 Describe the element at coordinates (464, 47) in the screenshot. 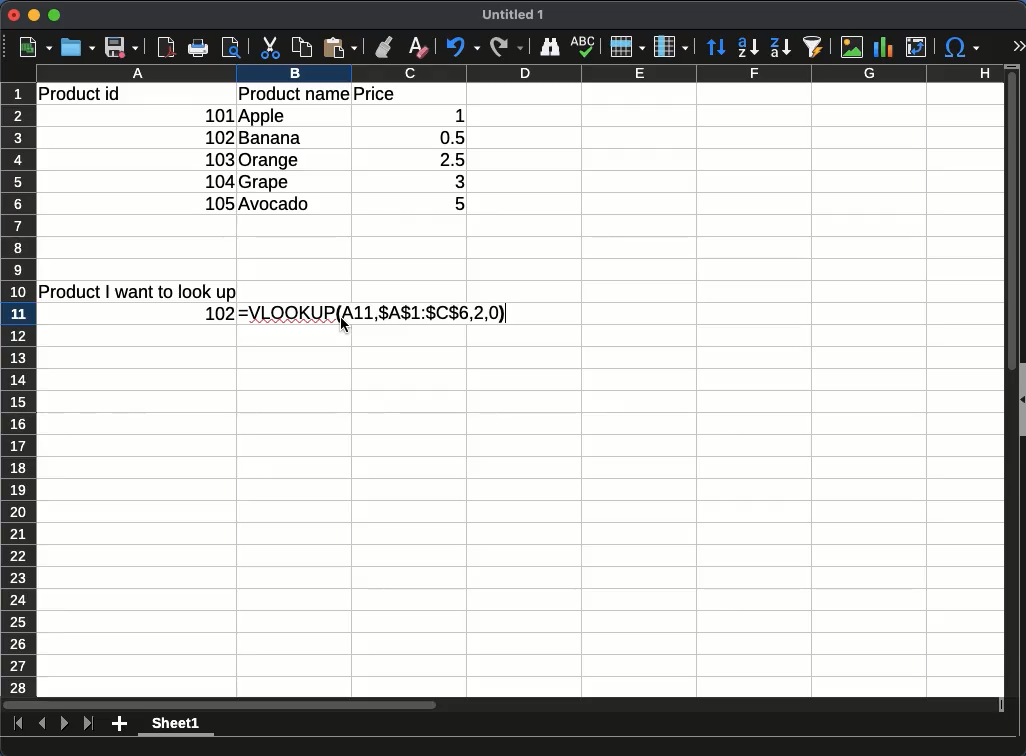

I see `undo` at that location.